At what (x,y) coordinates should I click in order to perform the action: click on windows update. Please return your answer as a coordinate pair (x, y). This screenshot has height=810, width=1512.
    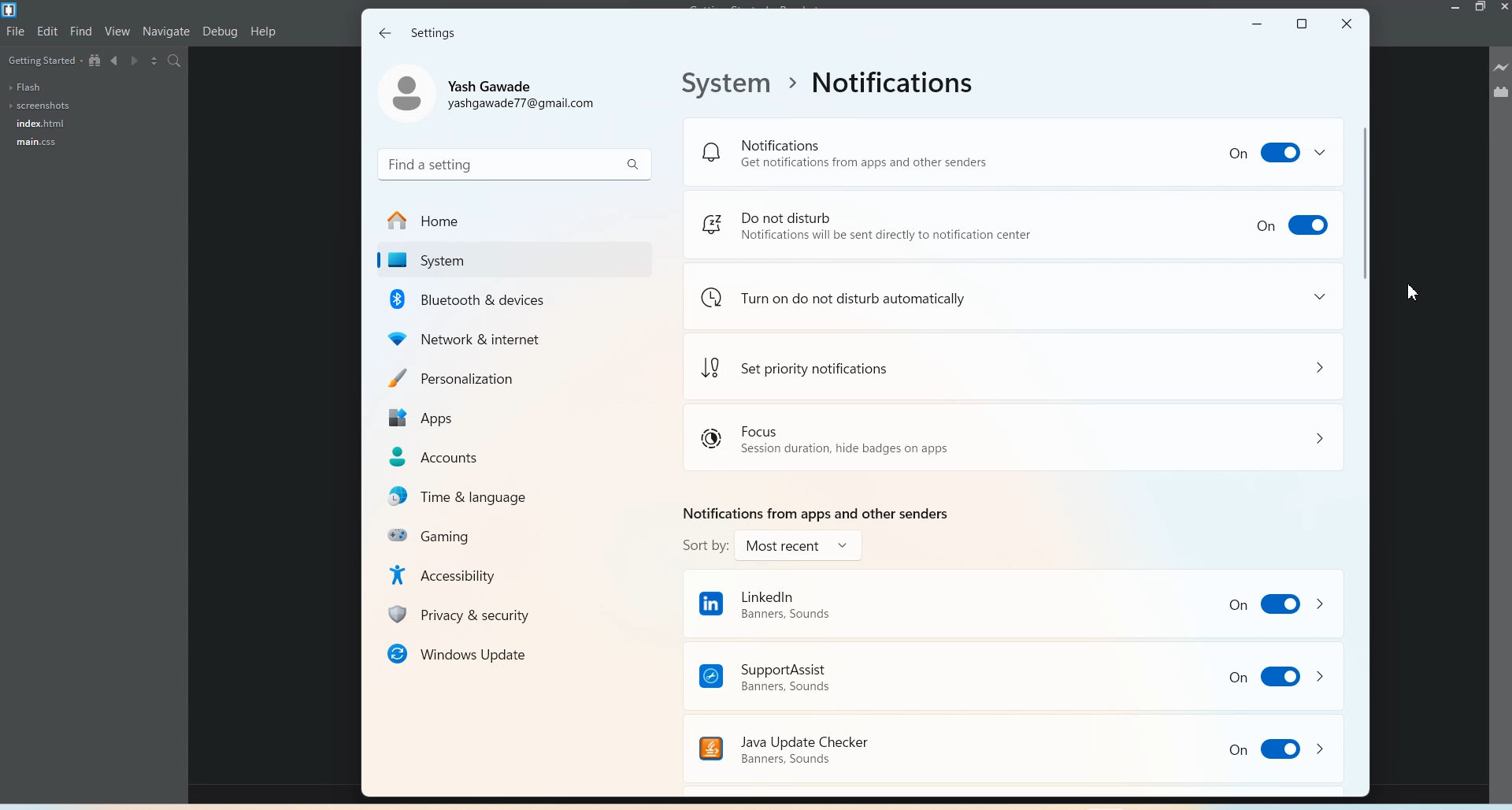
    Looking at the image, I should click on (508, 653).